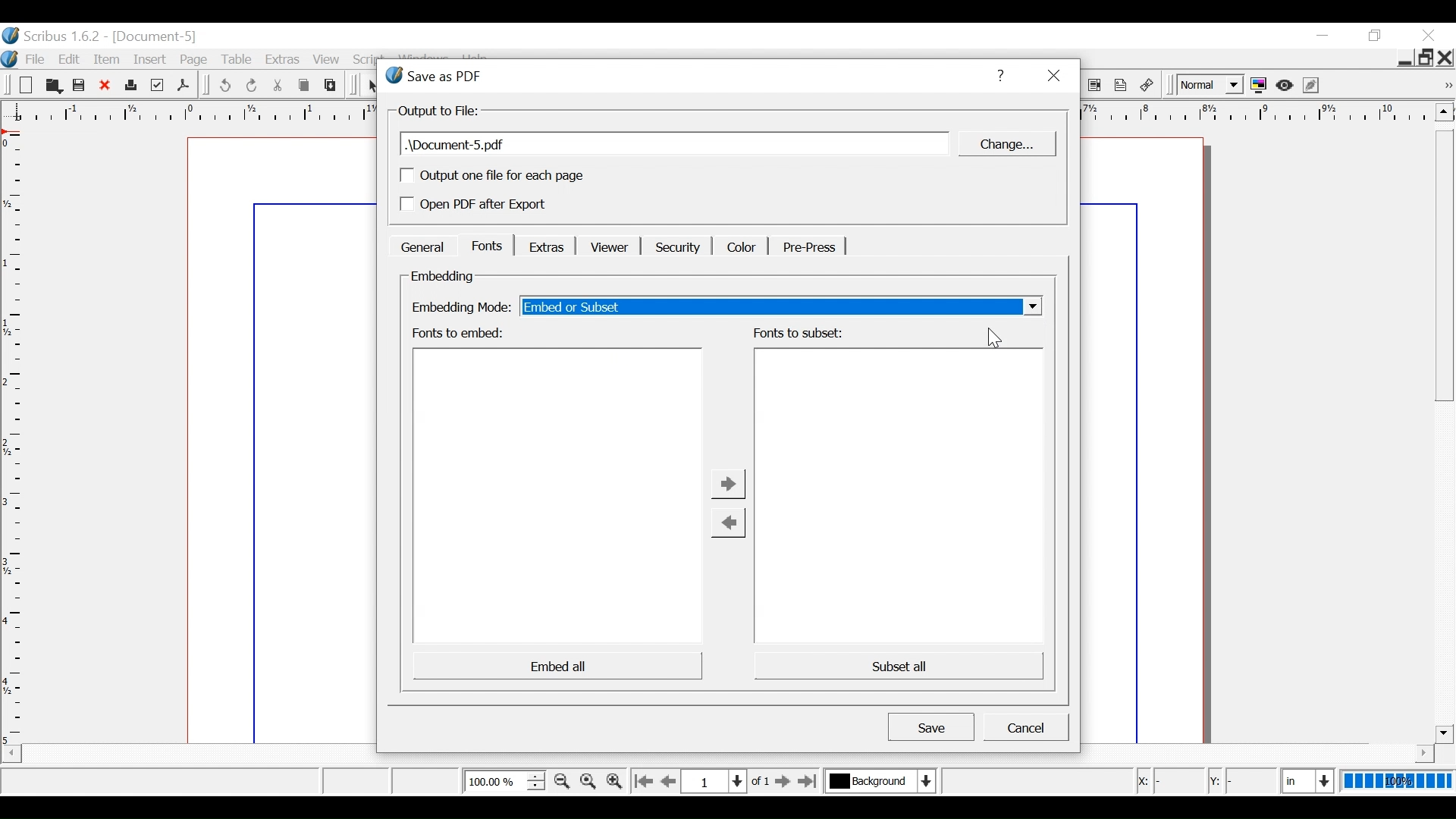  I want to click on Go to the next page, so click(784, 782).